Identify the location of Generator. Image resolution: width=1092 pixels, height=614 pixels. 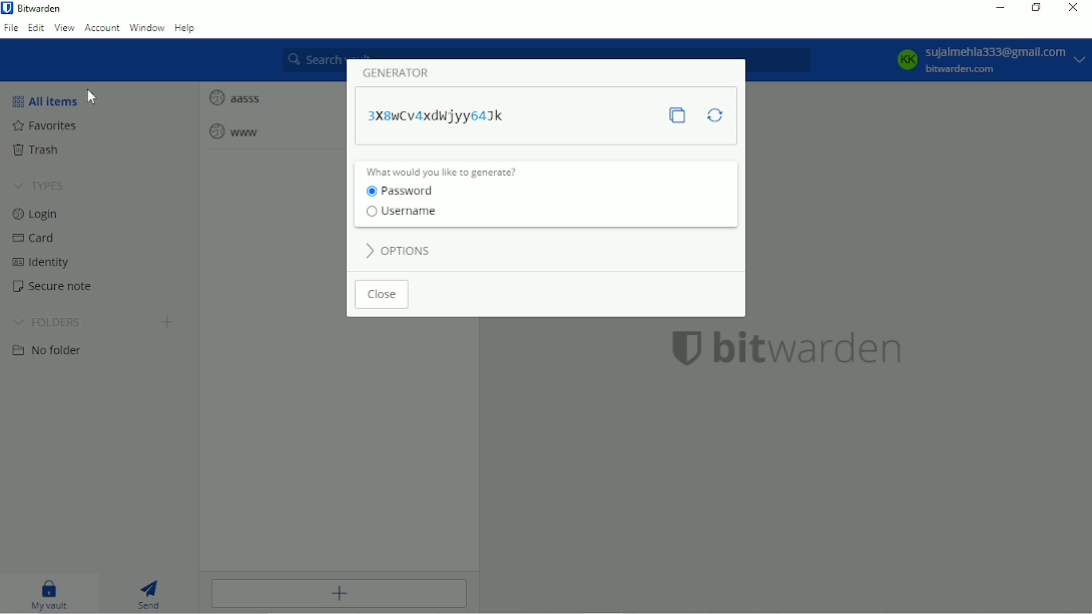
(397, 71).